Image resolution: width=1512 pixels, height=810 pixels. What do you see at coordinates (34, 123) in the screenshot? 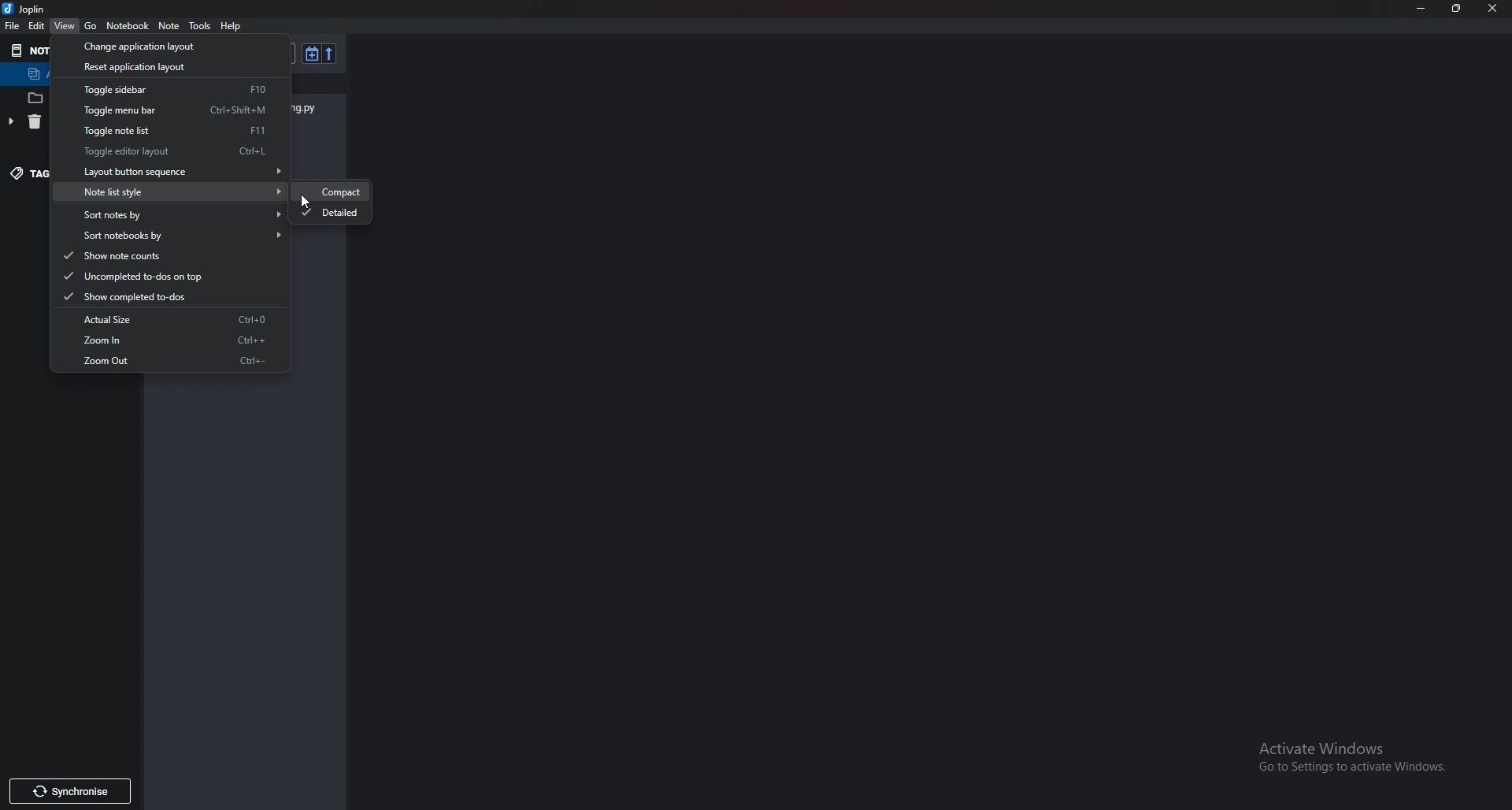
I see `delete` at bounding box center [34, 123].